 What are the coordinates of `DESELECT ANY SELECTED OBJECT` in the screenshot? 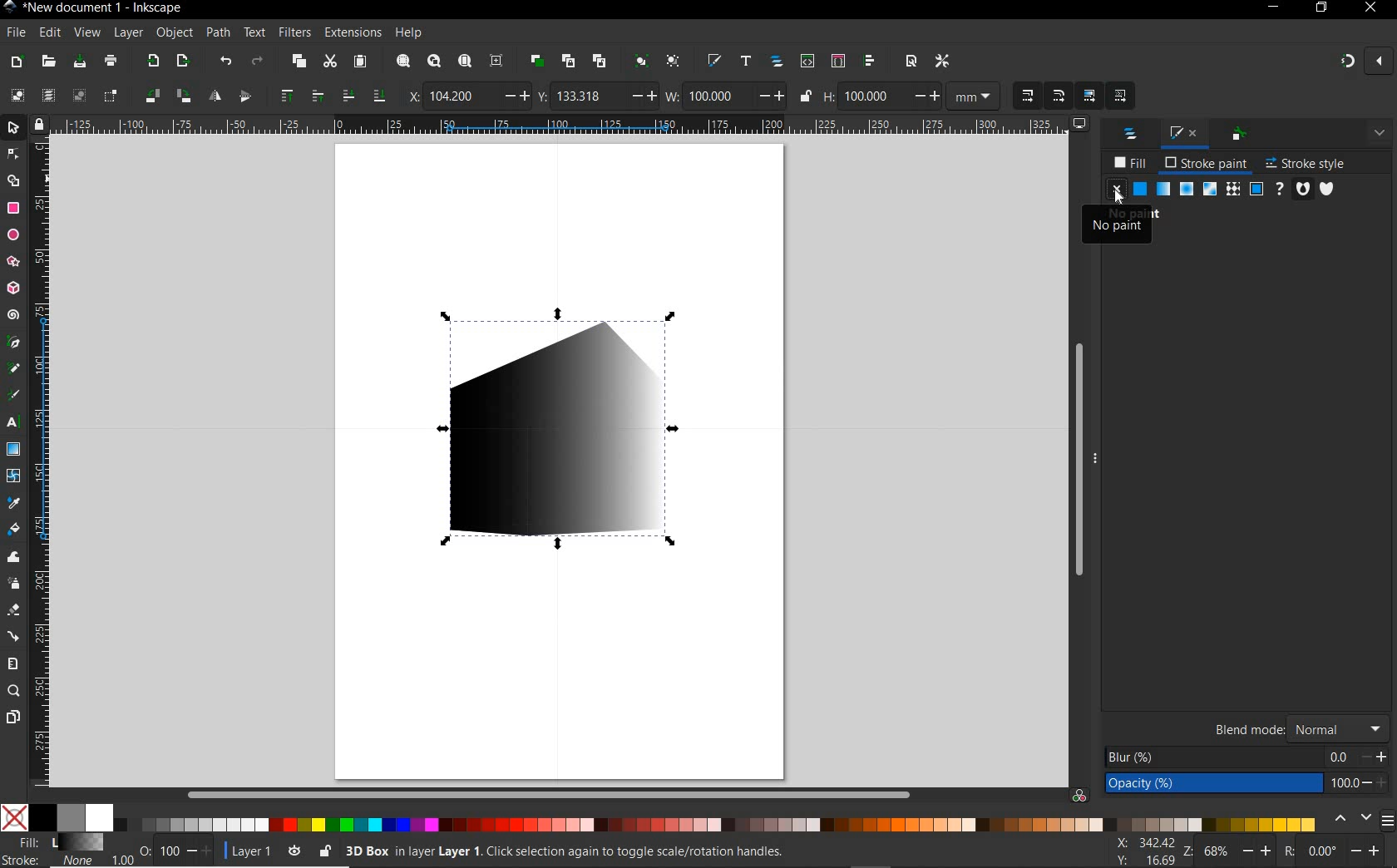 It's located at (78, 96).